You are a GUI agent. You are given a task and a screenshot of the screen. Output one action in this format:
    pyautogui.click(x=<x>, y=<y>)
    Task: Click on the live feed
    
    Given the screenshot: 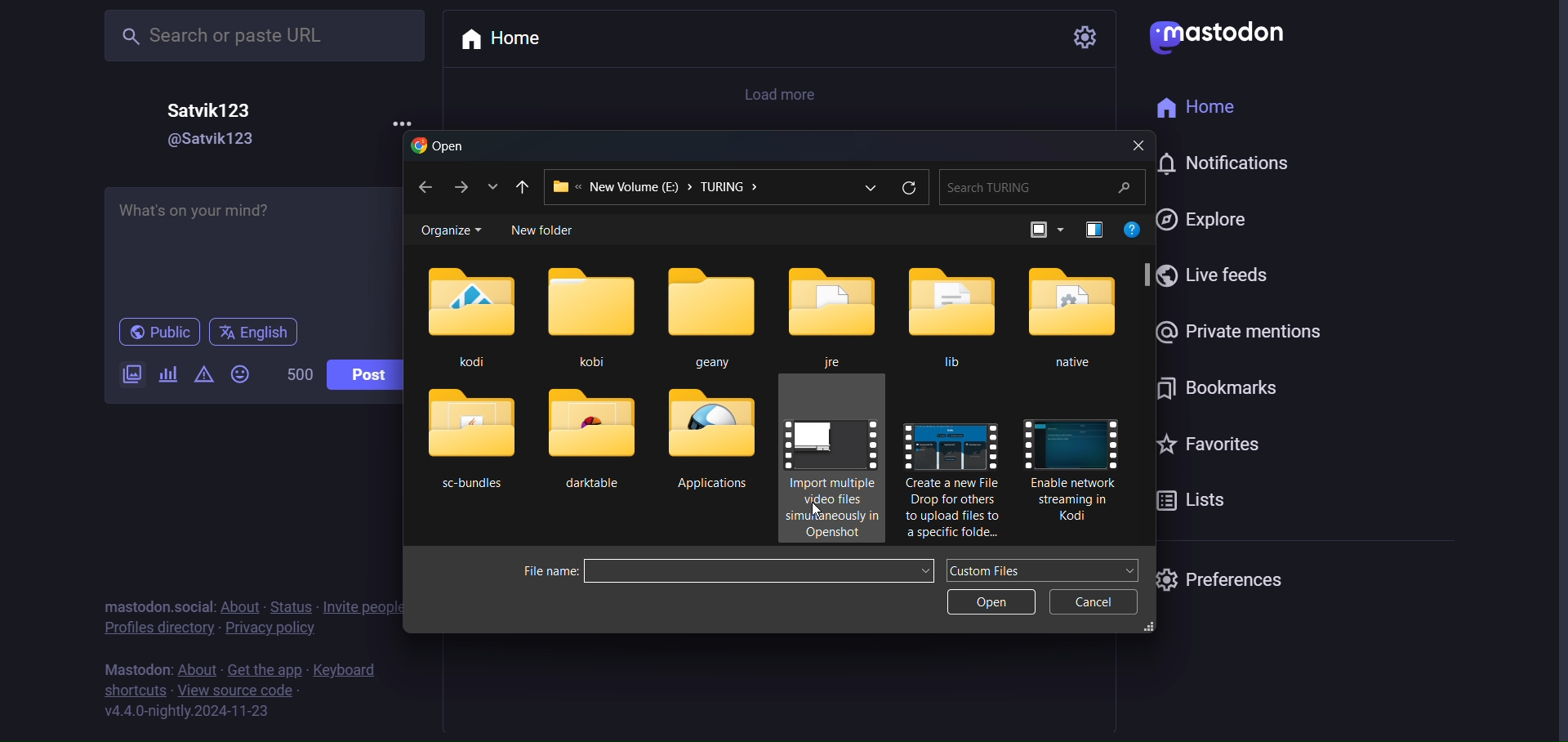 What is the action you would take?
    pyautogui.click(x=1218, y=276)
    